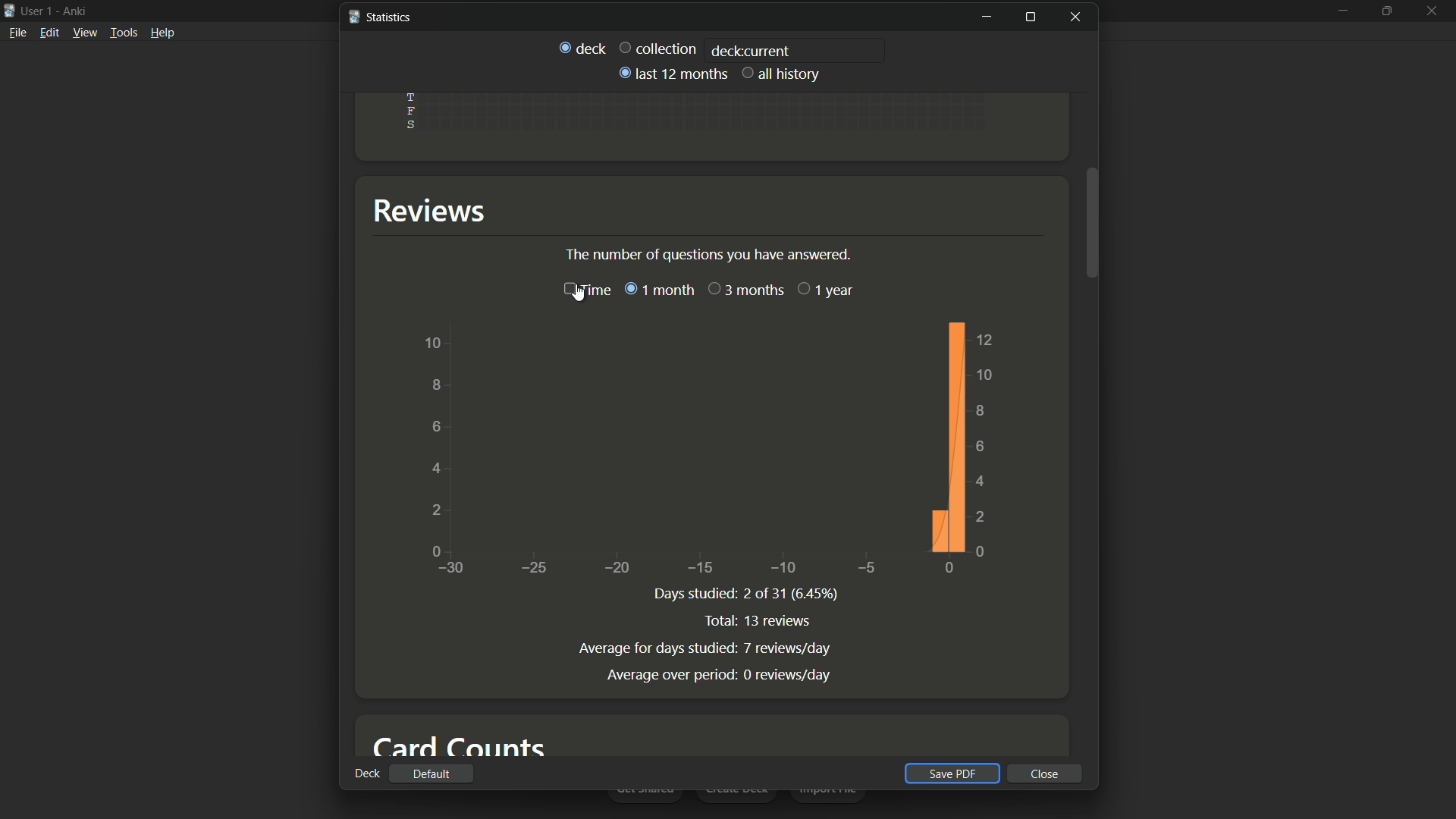  I want to click on close window, so click(1078, 17).